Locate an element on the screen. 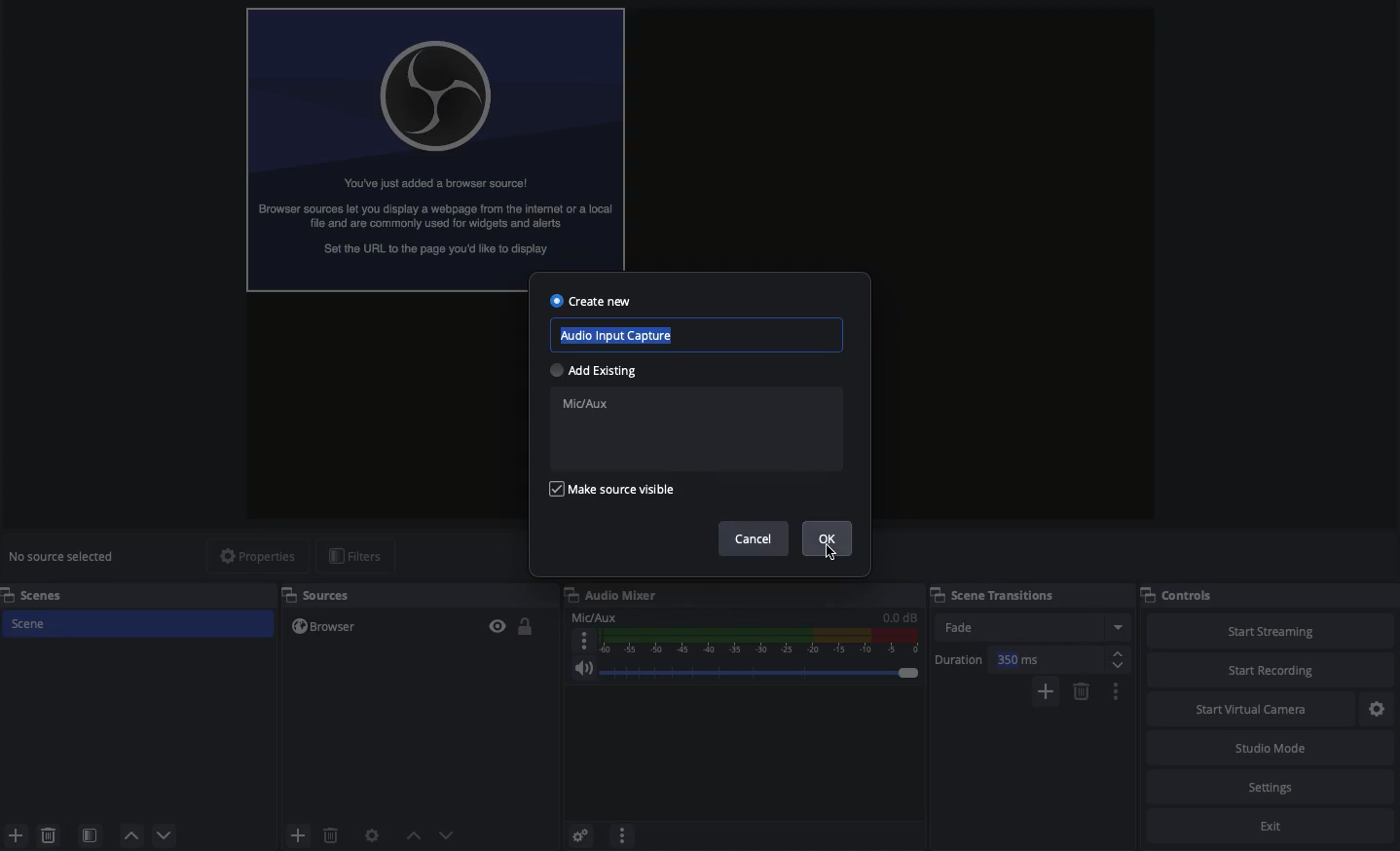 The width and height of the screenshot is (1400, 851). Exit is located at coordinates (1253, 827).